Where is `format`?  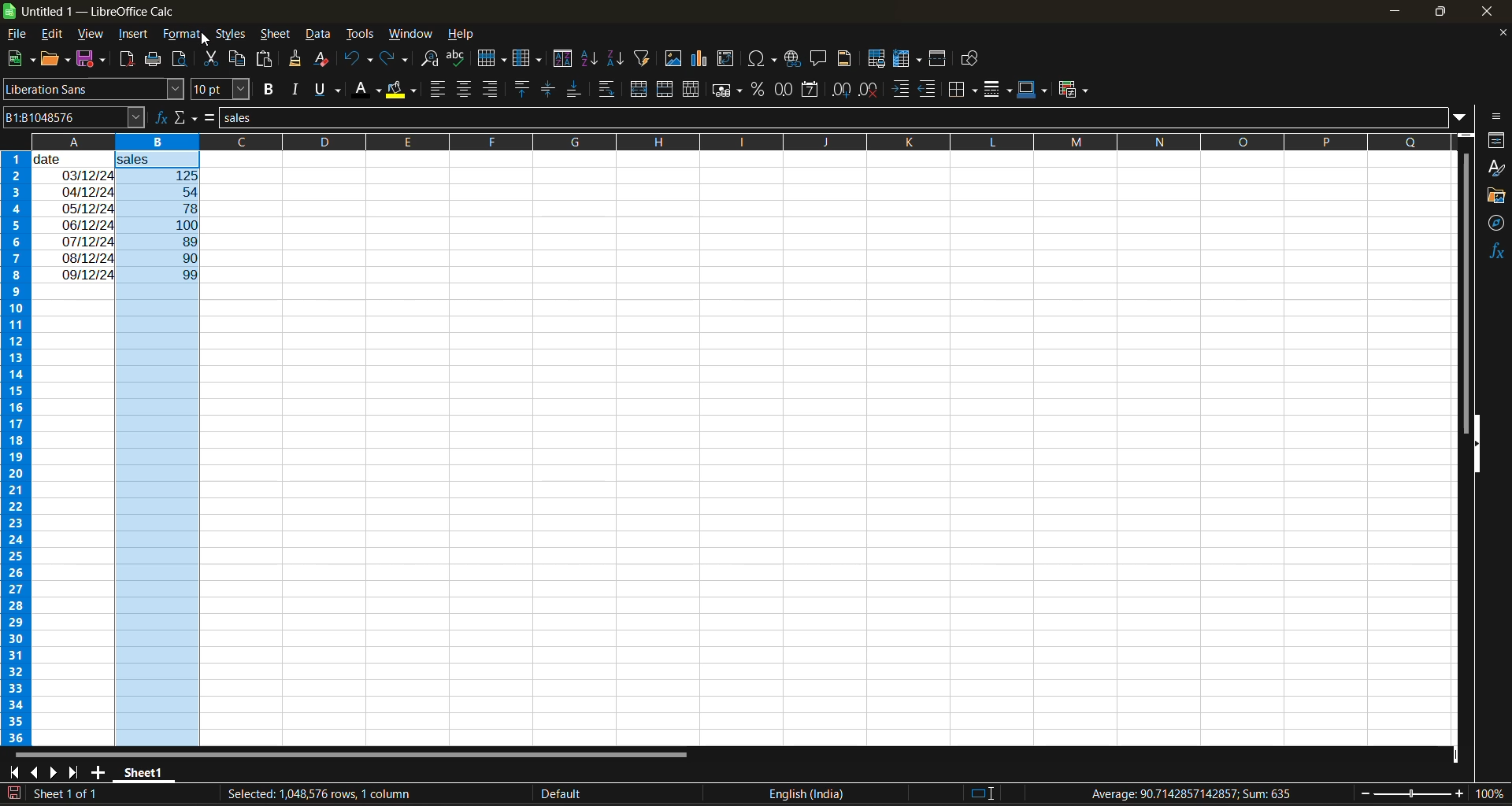
format is located at coordinates (183, 34).